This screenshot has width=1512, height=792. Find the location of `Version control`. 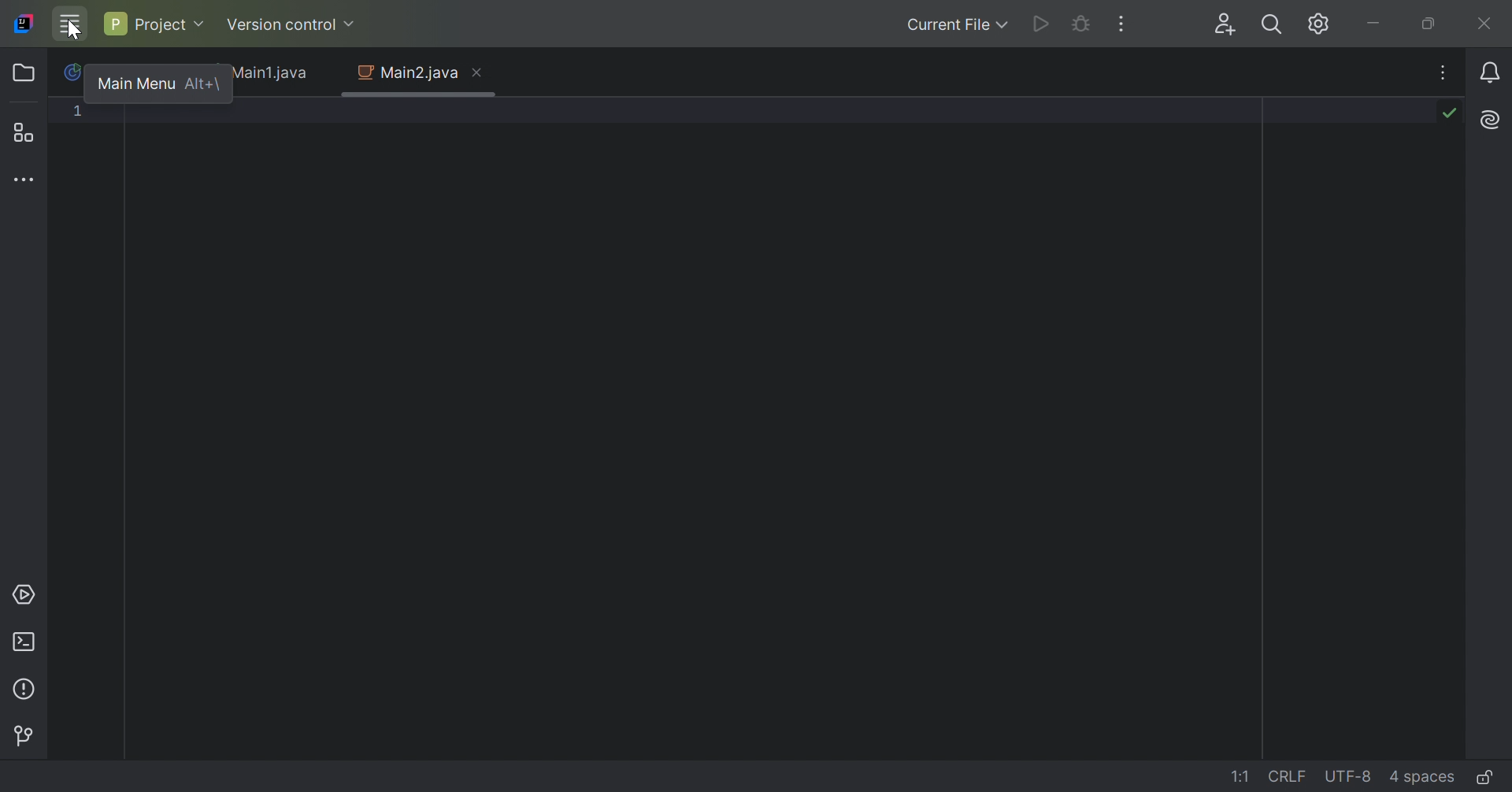

Version control is located at coordinates (28, 734).